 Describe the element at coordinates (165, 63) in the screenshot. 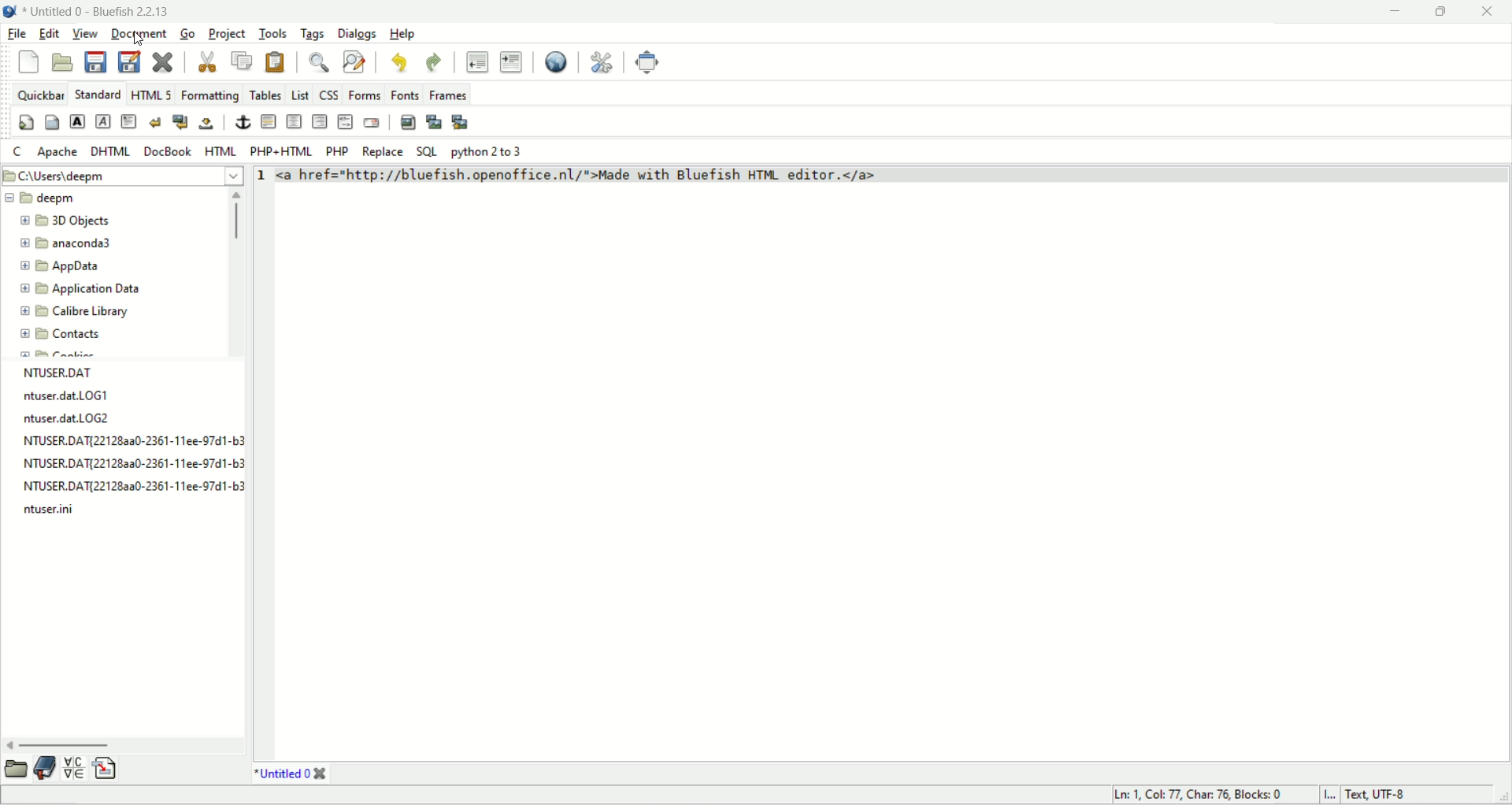

I see `close current file` at that location.